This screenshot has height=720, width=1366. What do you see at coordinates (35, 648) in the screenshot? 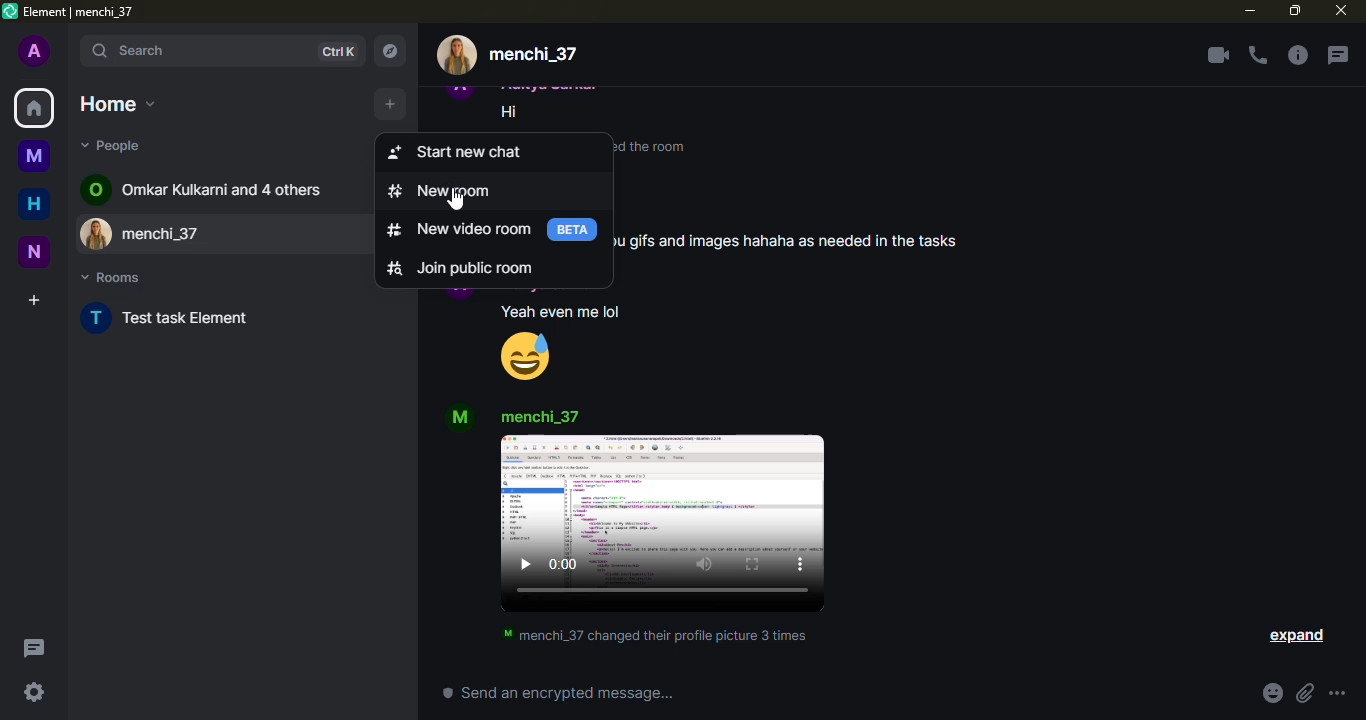
I see `Threads` at bounding box center [35, 648].